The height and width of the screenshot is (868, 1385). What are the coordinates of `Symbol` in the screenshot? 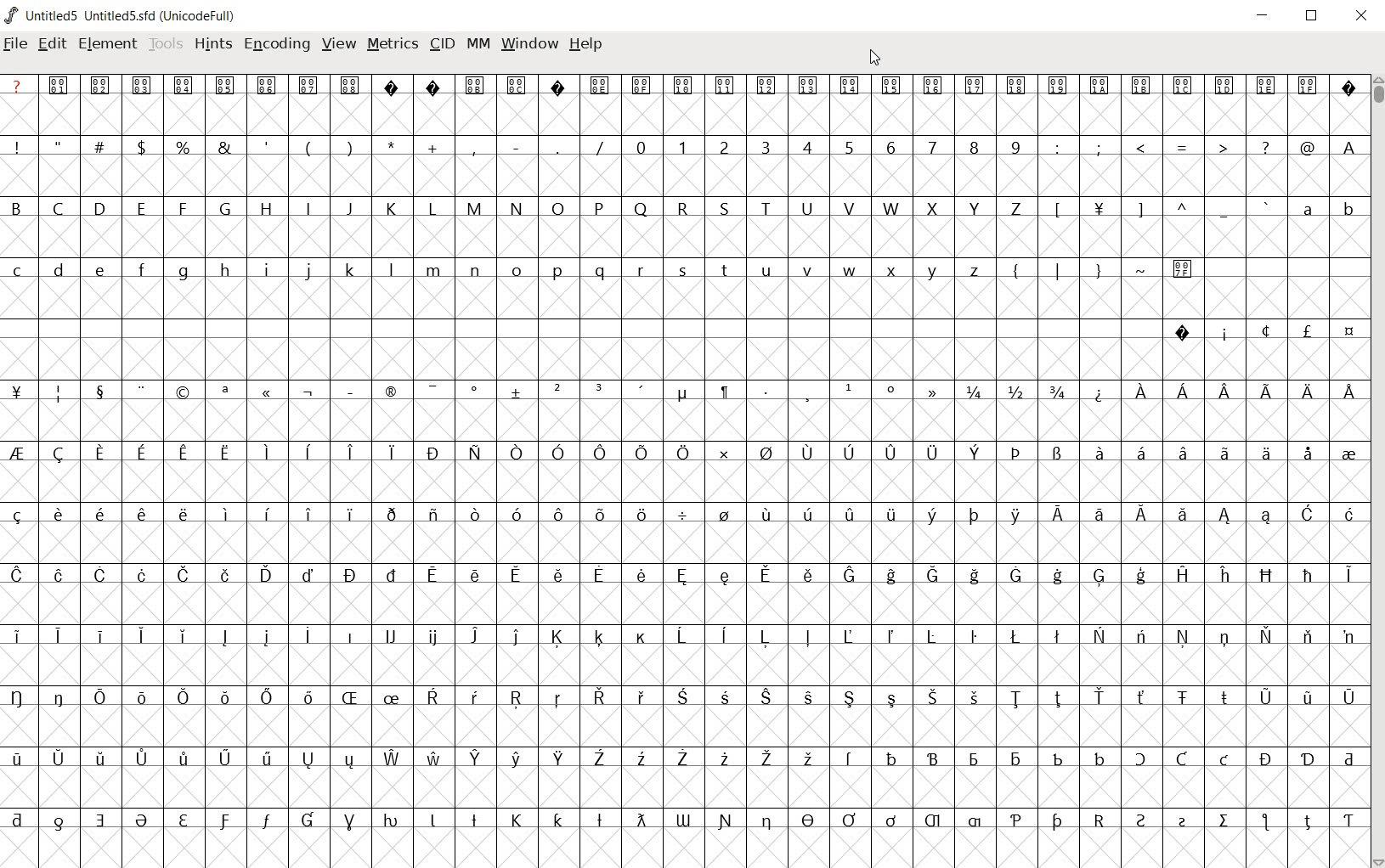 It's located at (1099, 819).